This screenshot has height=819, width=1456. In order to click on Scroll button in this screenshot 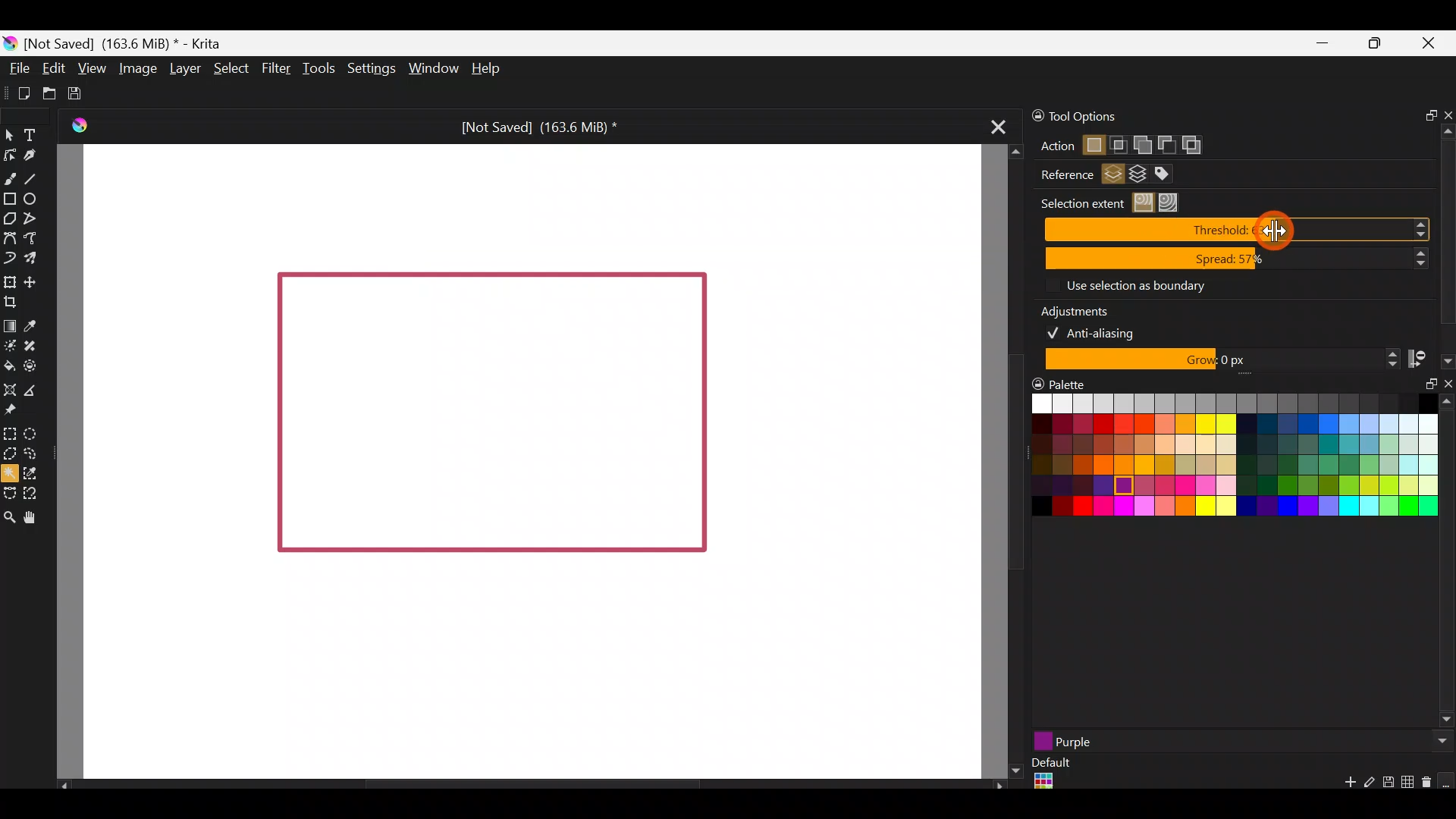, I will do `click(1439, 741)`.